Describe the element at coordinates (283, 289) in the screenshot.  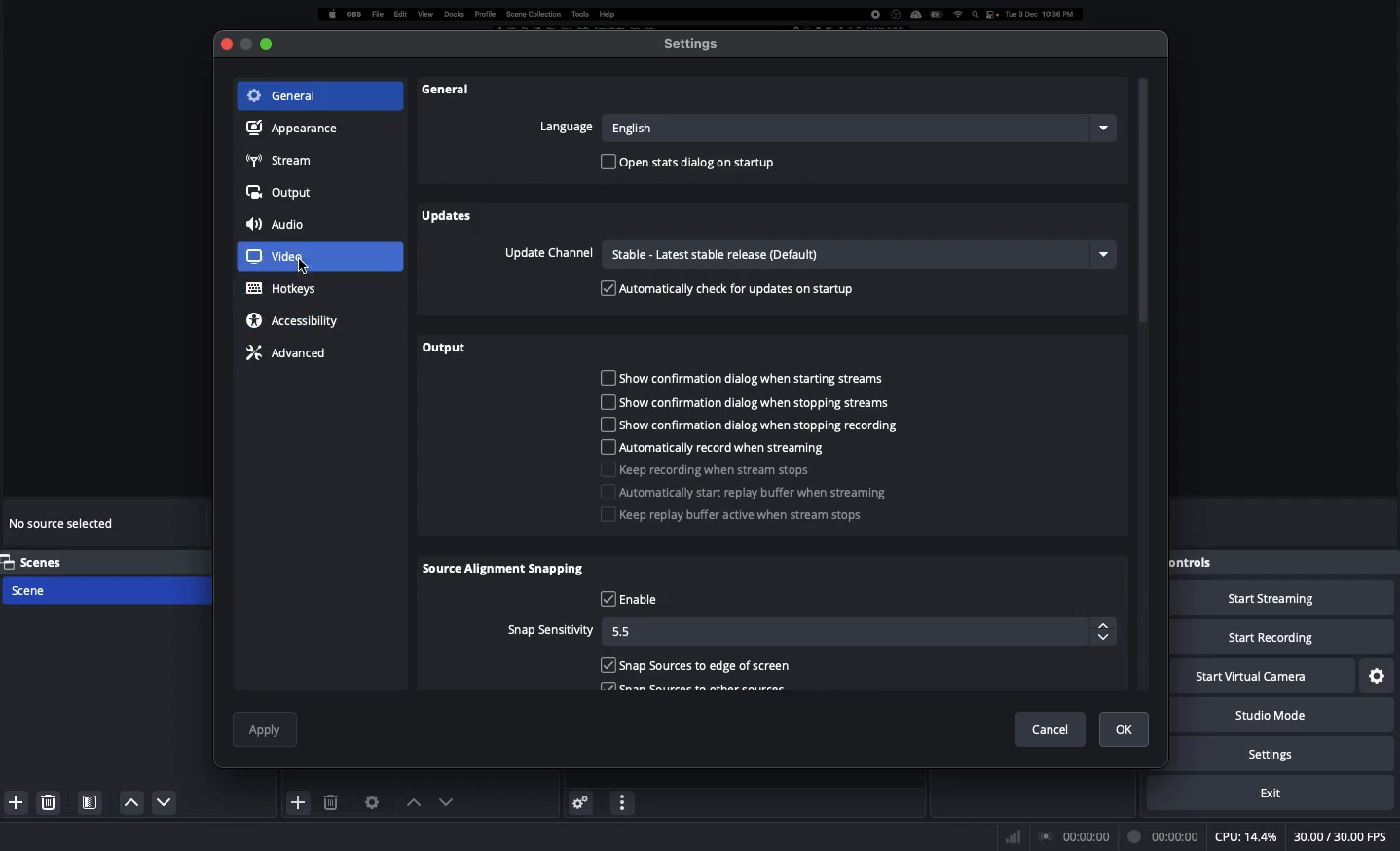
I see `Hotkeys` at that location.